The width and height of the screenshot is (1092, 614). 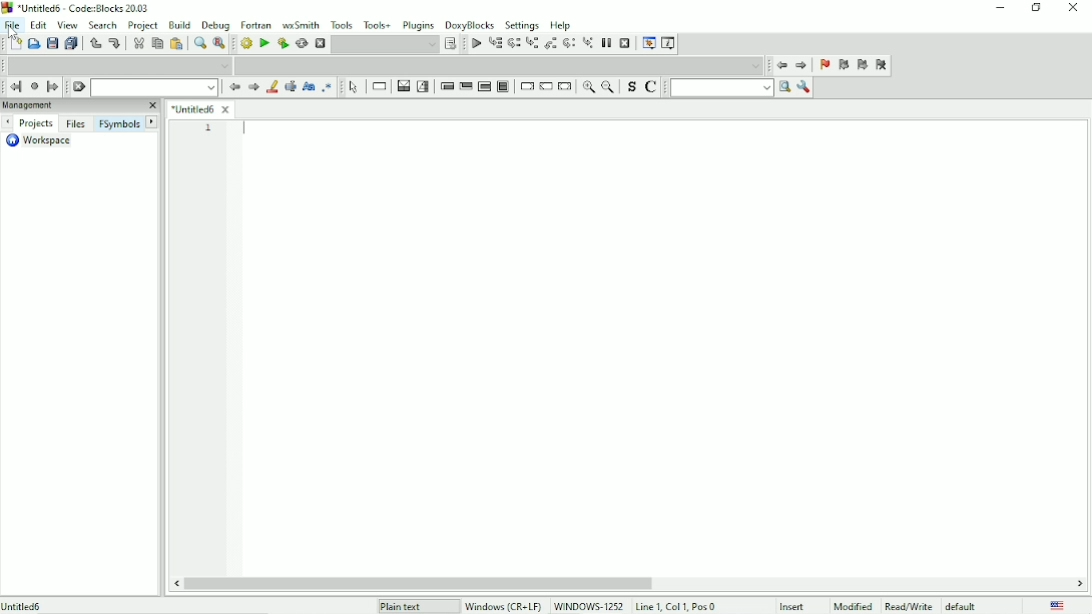 What do you see at coordinates (119, 125) in the screenshot?
I see `FSymbols` at bounding box center [119, 125].